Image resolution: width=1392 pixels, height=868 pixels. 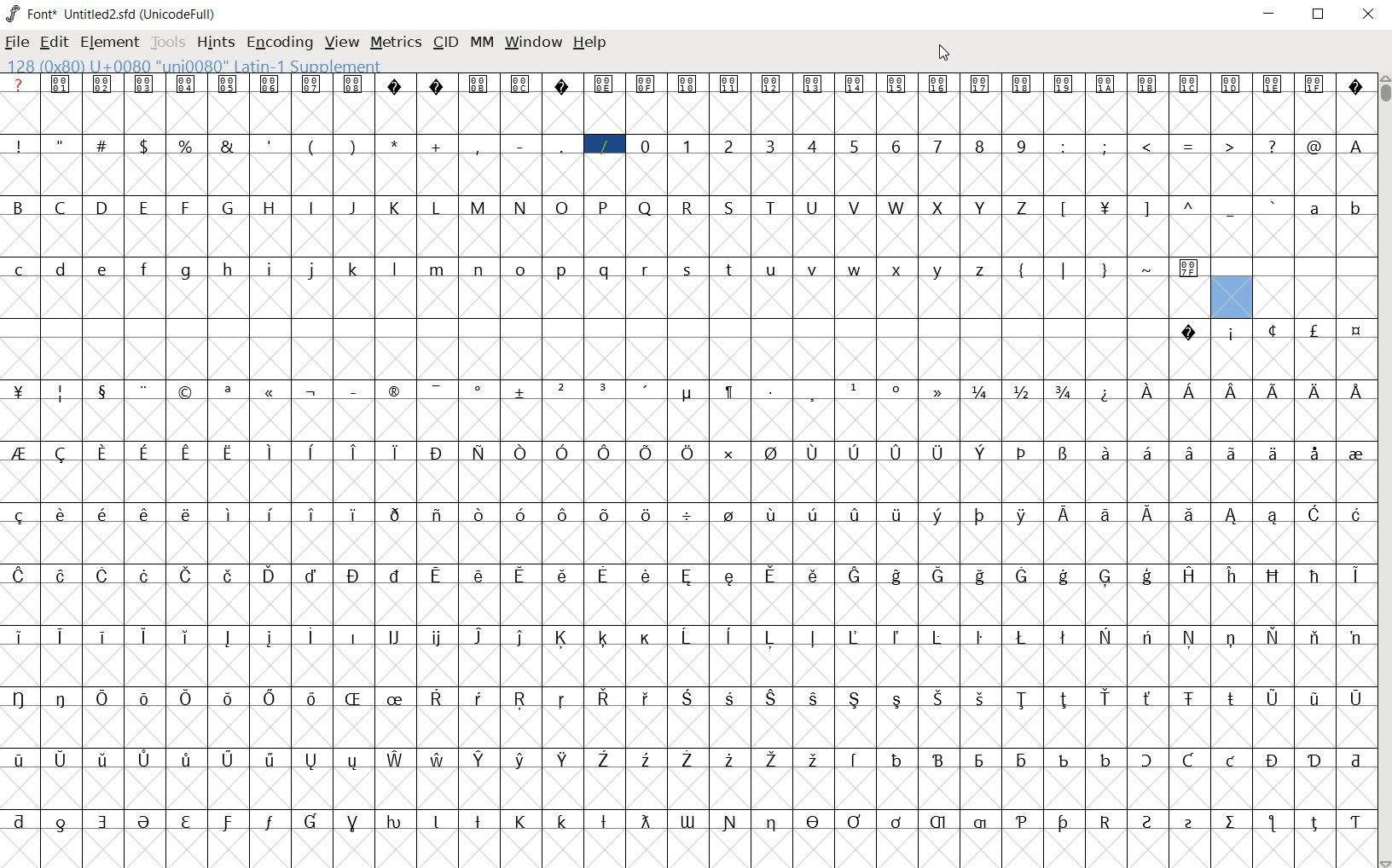 I want to click on glyph, so click(x=437, y=576).